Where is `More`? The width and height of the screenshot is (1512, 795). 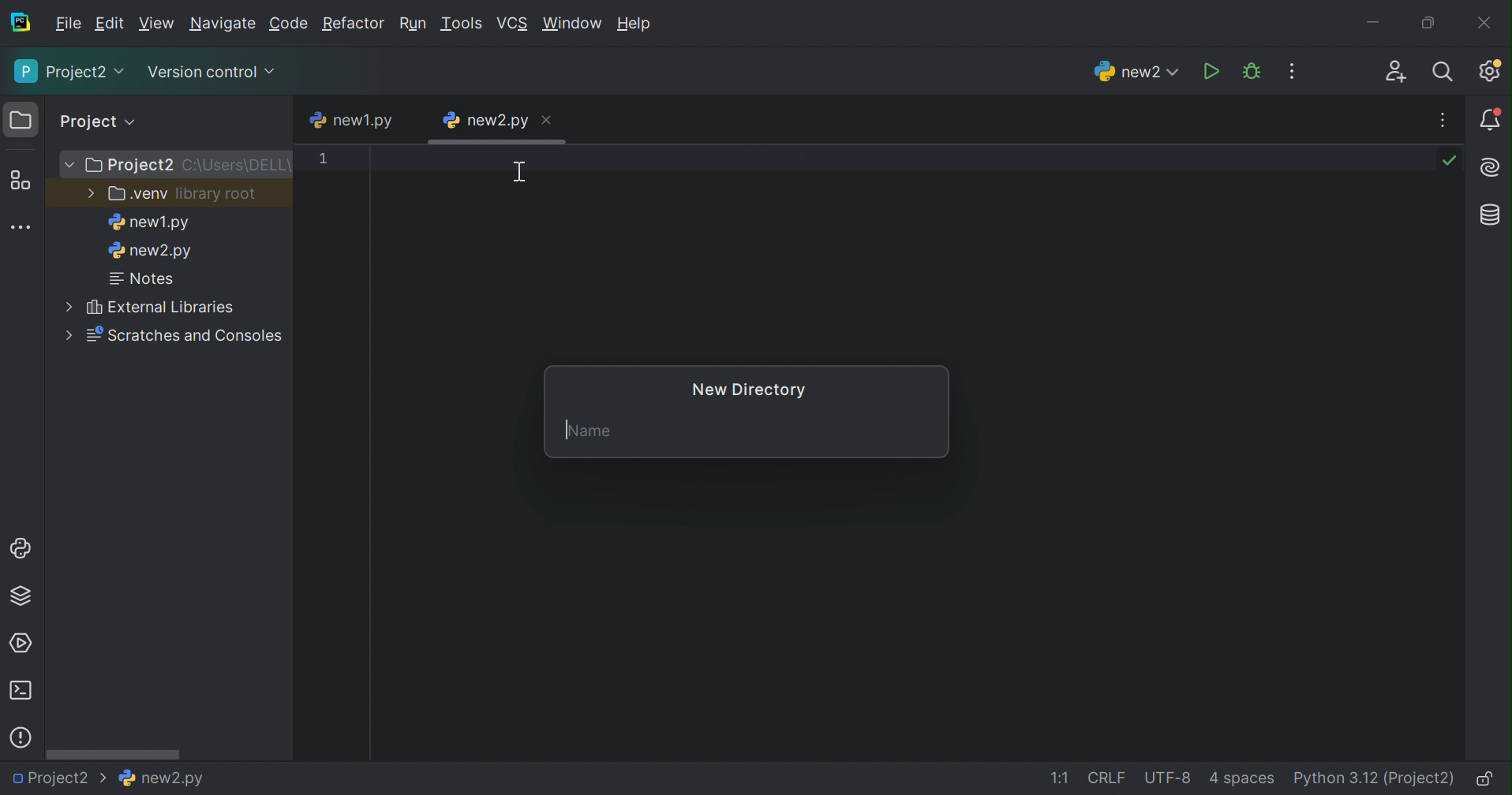 More is located at coordinates (65, 304).